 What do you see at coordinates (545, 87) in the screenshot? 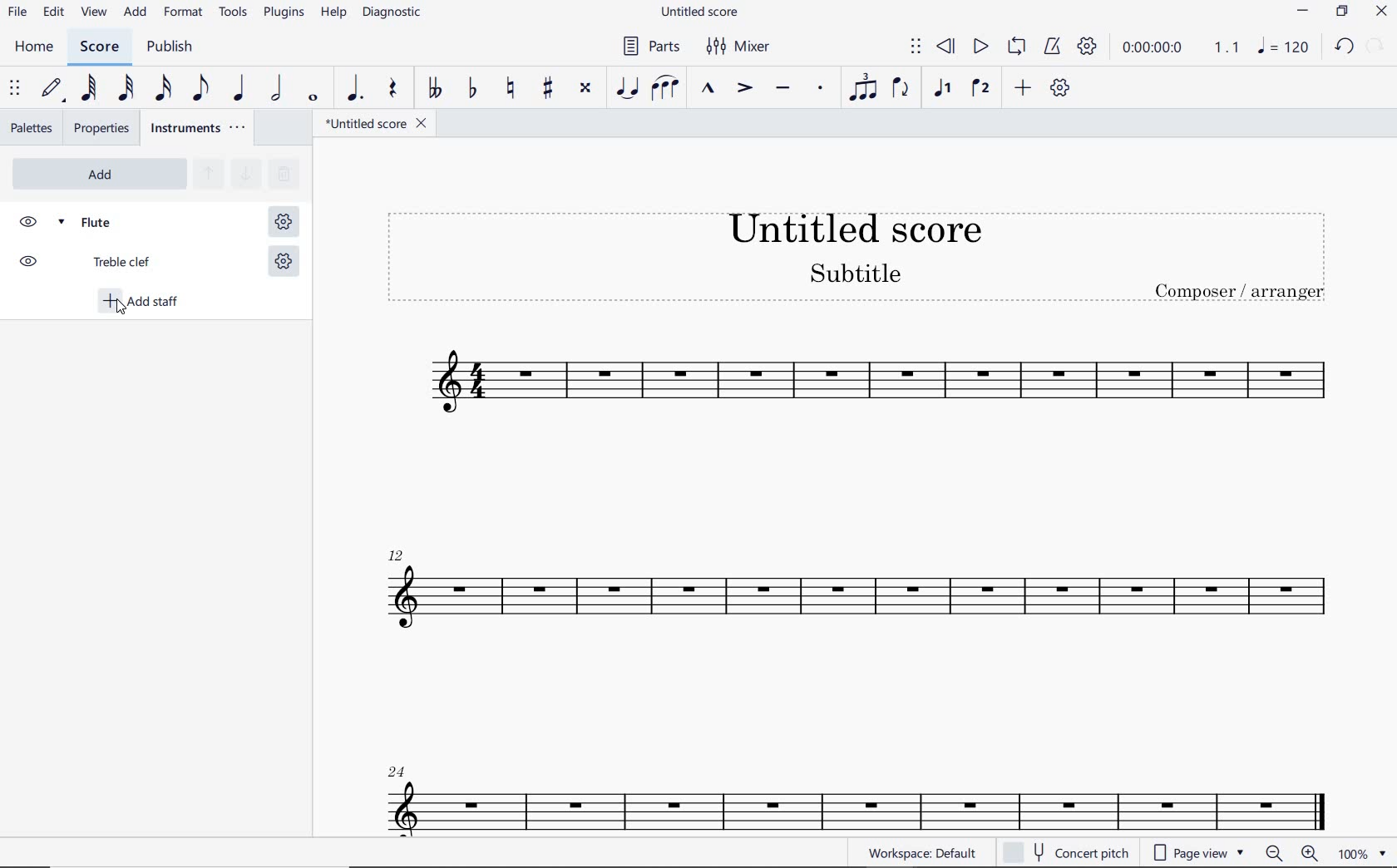
I see `TOGGLE SHARP` at bounding box center [545, 87].